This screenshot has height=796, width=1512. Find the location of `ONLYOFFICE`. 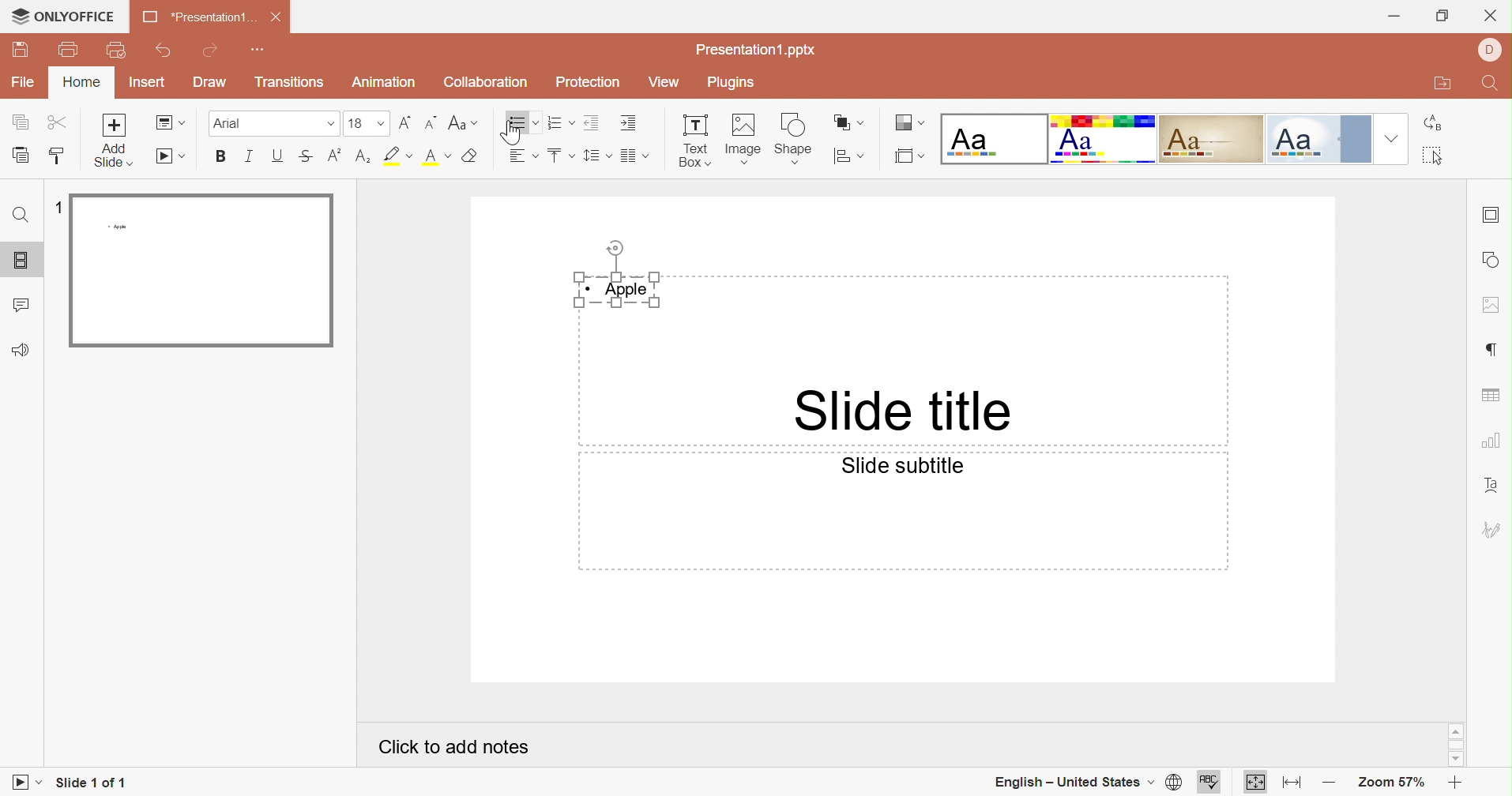

ONLYOFFICE is located at coordinates (74, 17).